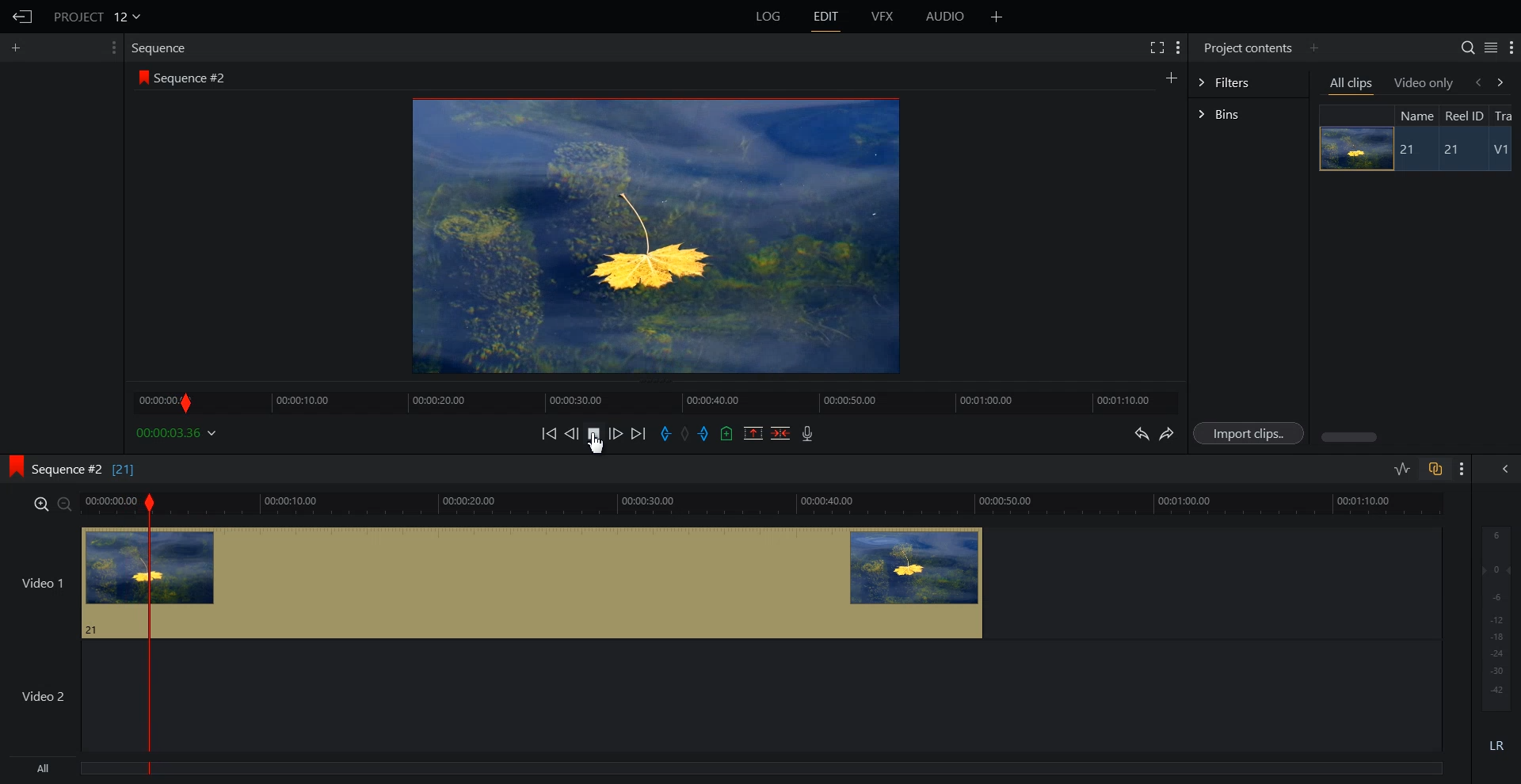 The height and width of the screenshot is (784, 1521). I want to click on Nurse one frame forward, so click(616, 433).